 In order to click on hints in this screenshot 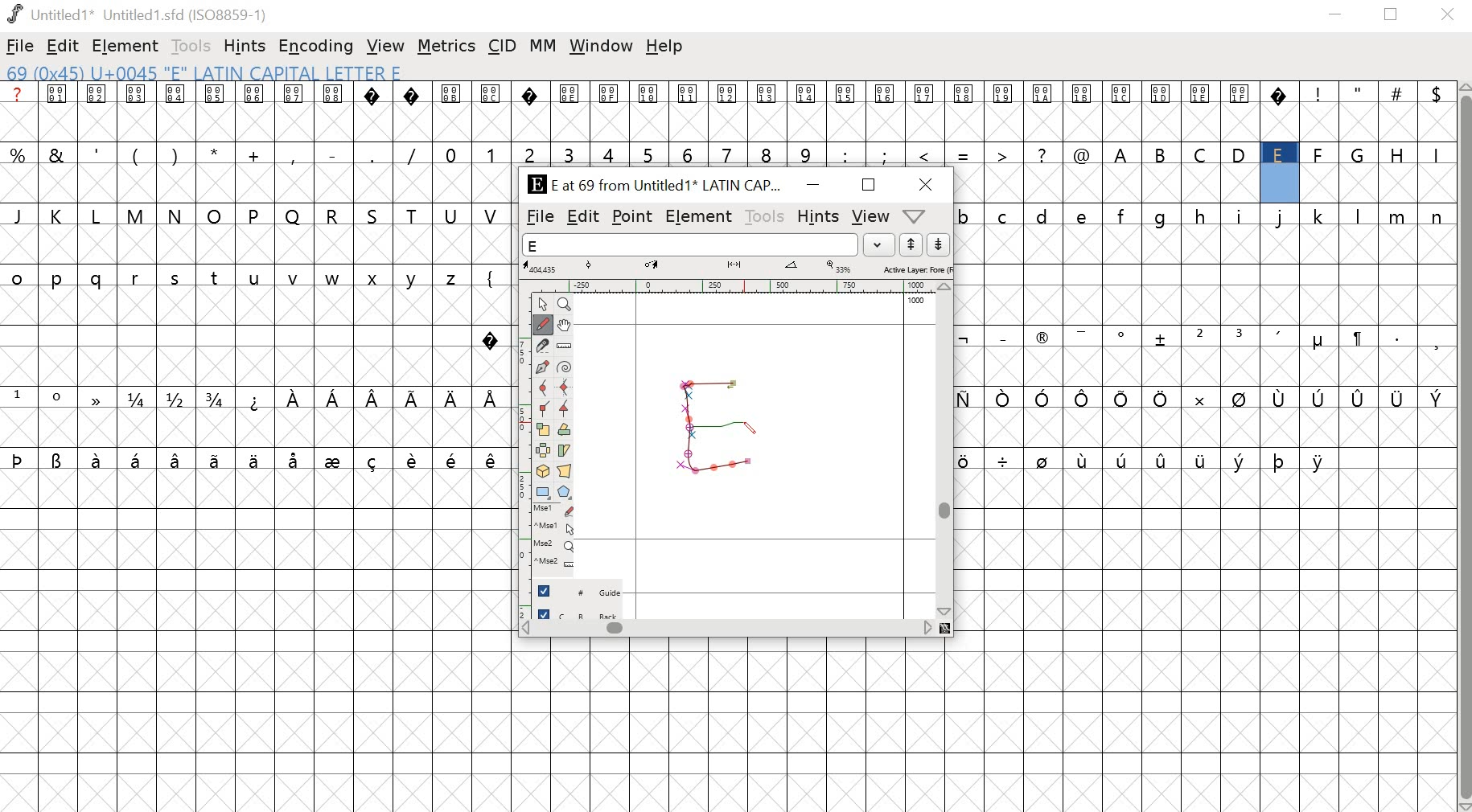, I will do `click(245, 47)`.